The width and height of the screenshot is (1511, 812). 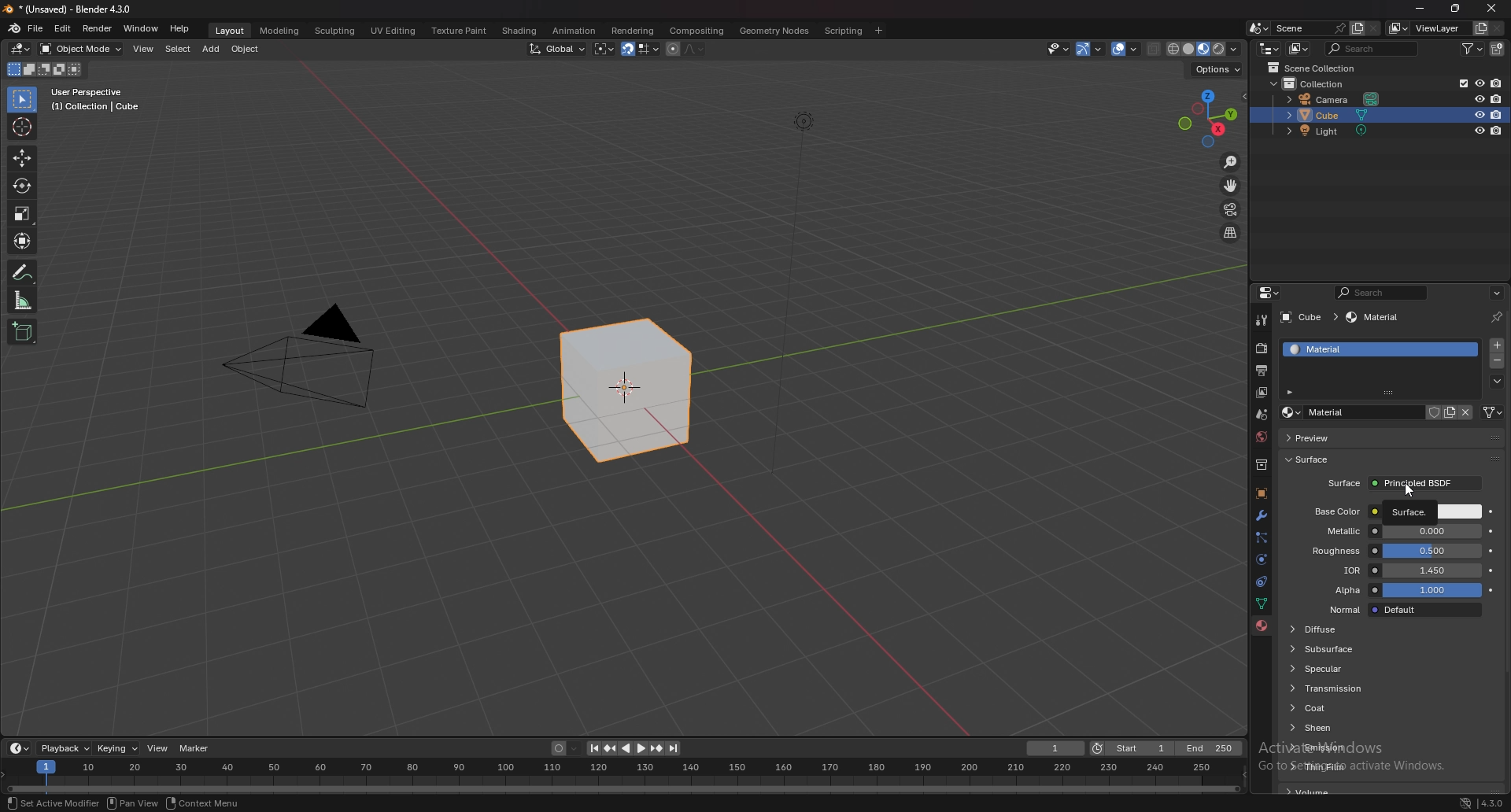 What do you see at coordinates (1093, 48) in the screenshot?
I see `gizmo` at bounding box center [1093, 48].